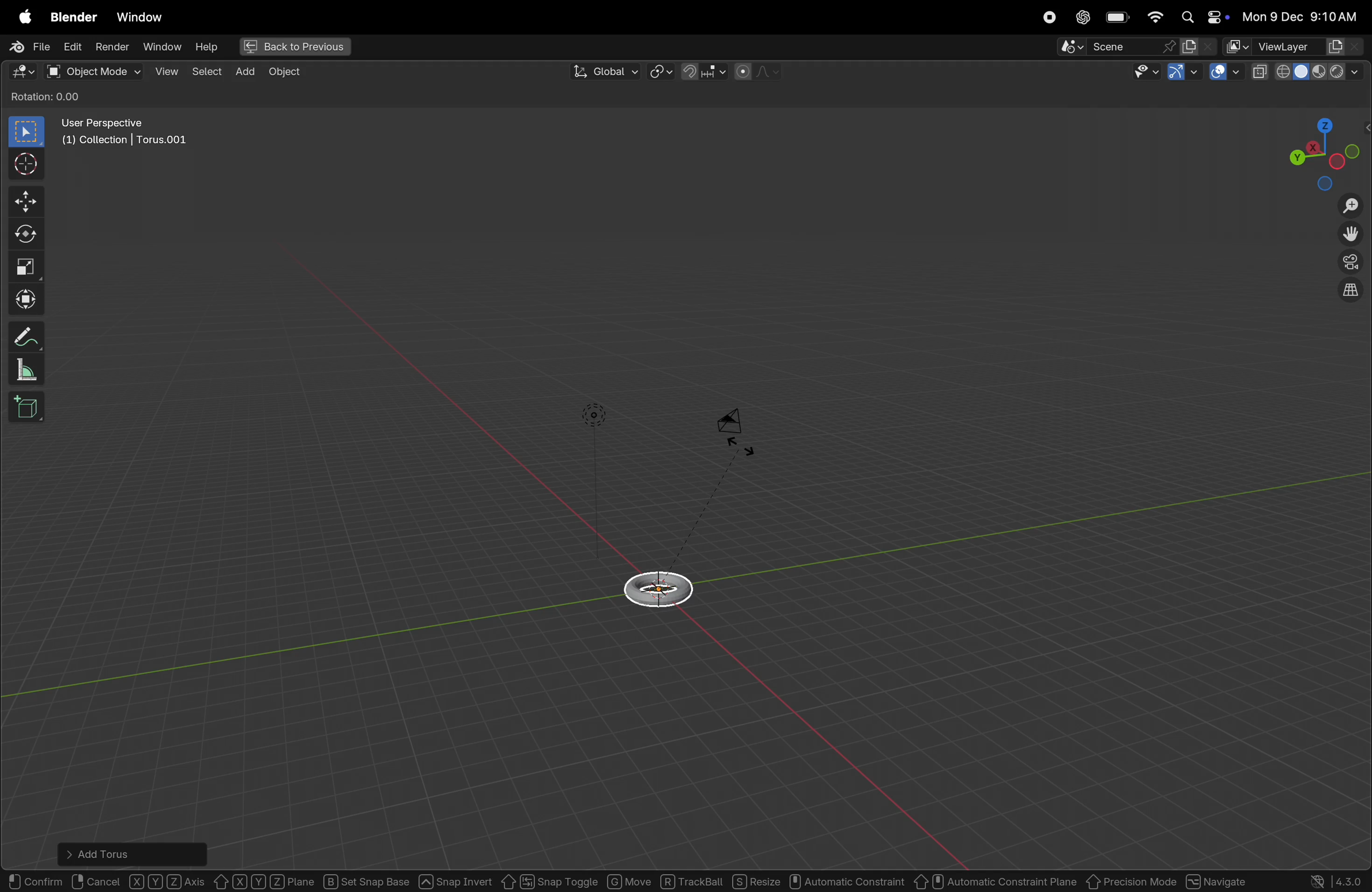  What do you see at coordinates (29, 409) in the screenshot?
I see `add cube` at bounding box center [29, 409].